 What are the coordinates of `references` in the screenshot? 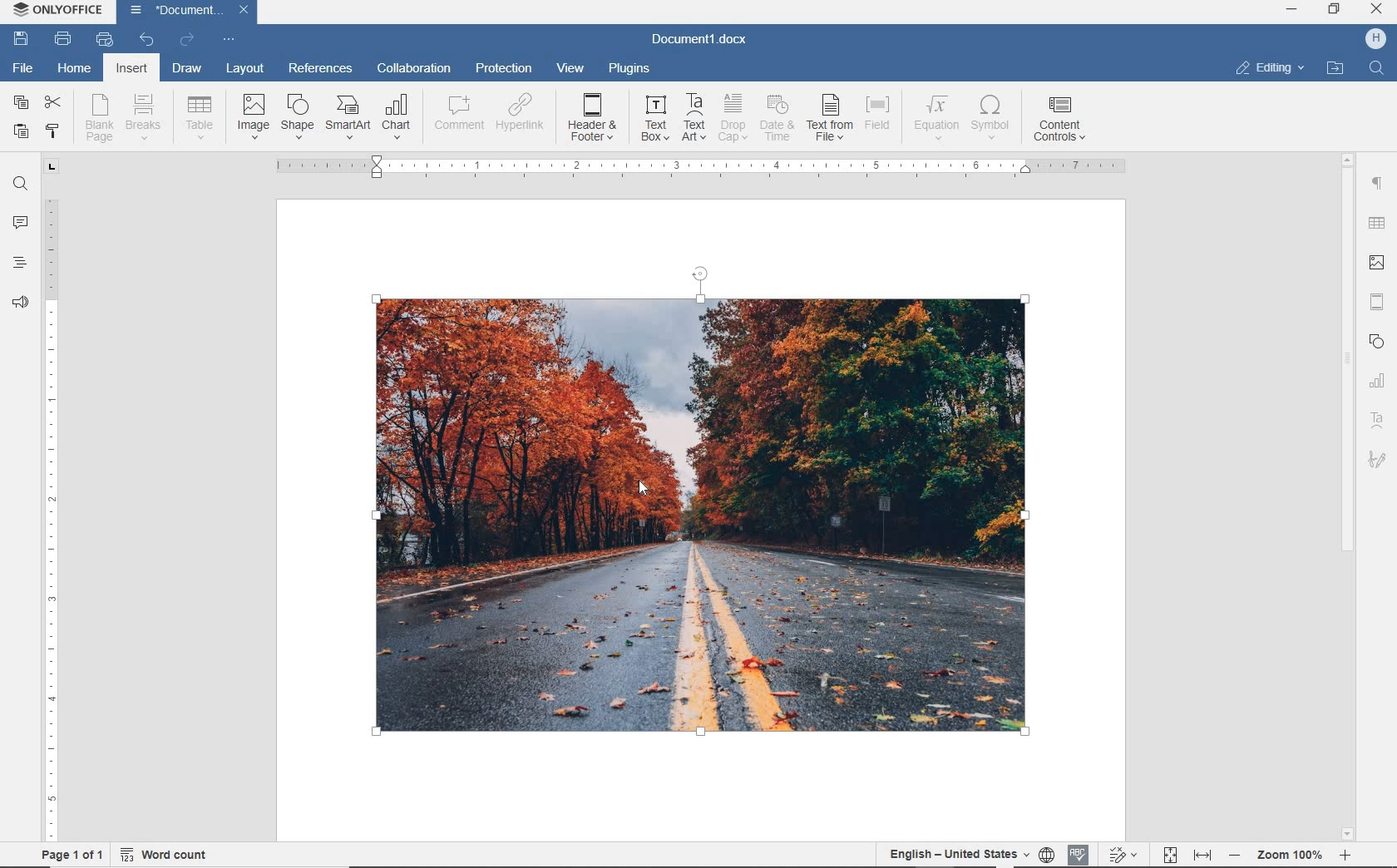 It's located at (322, 69).